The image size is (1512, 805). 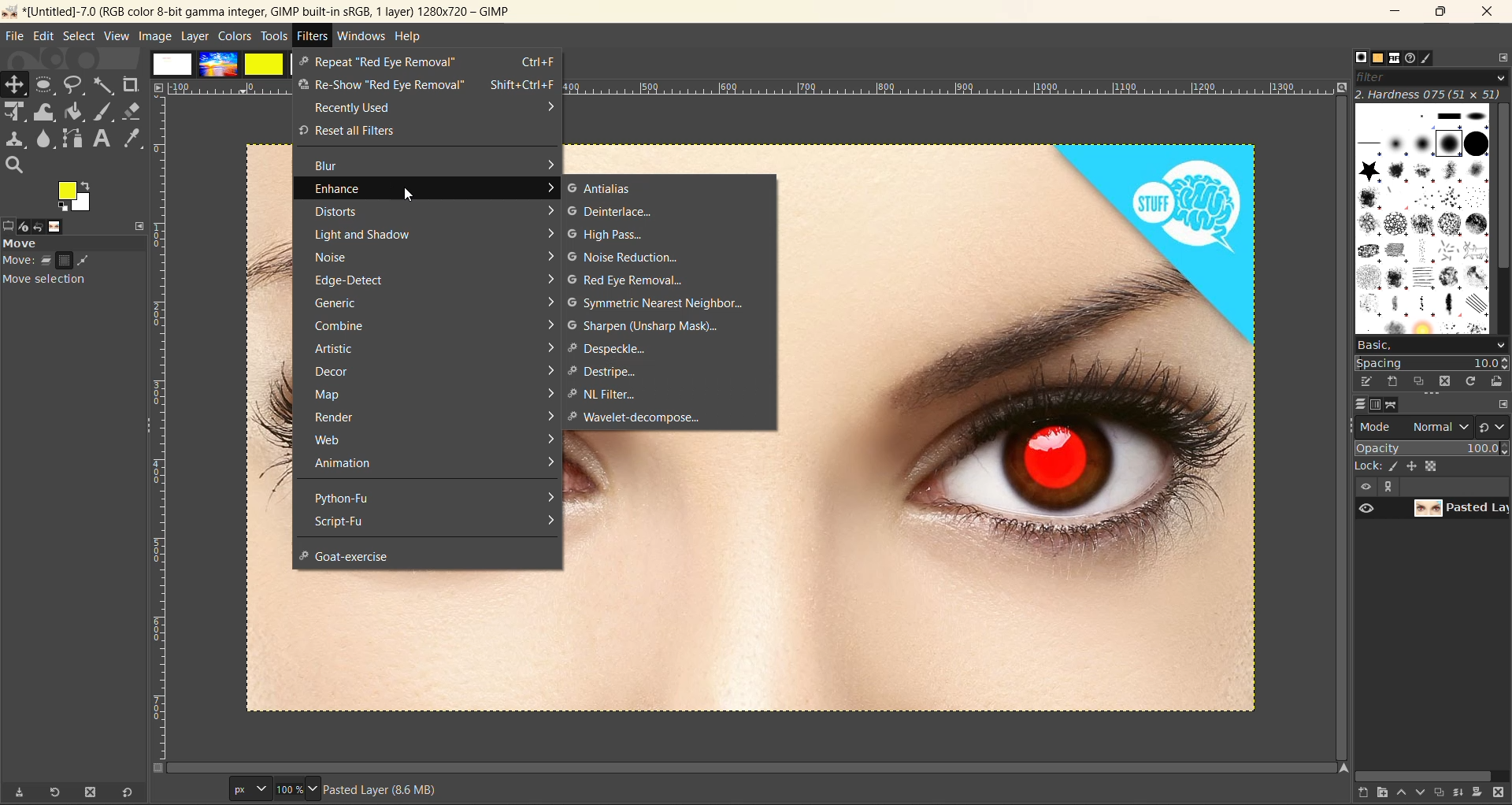 What do you see at coordinates (114, 37) in the screenshot?
I see `view` at bounding box center [114, 37].